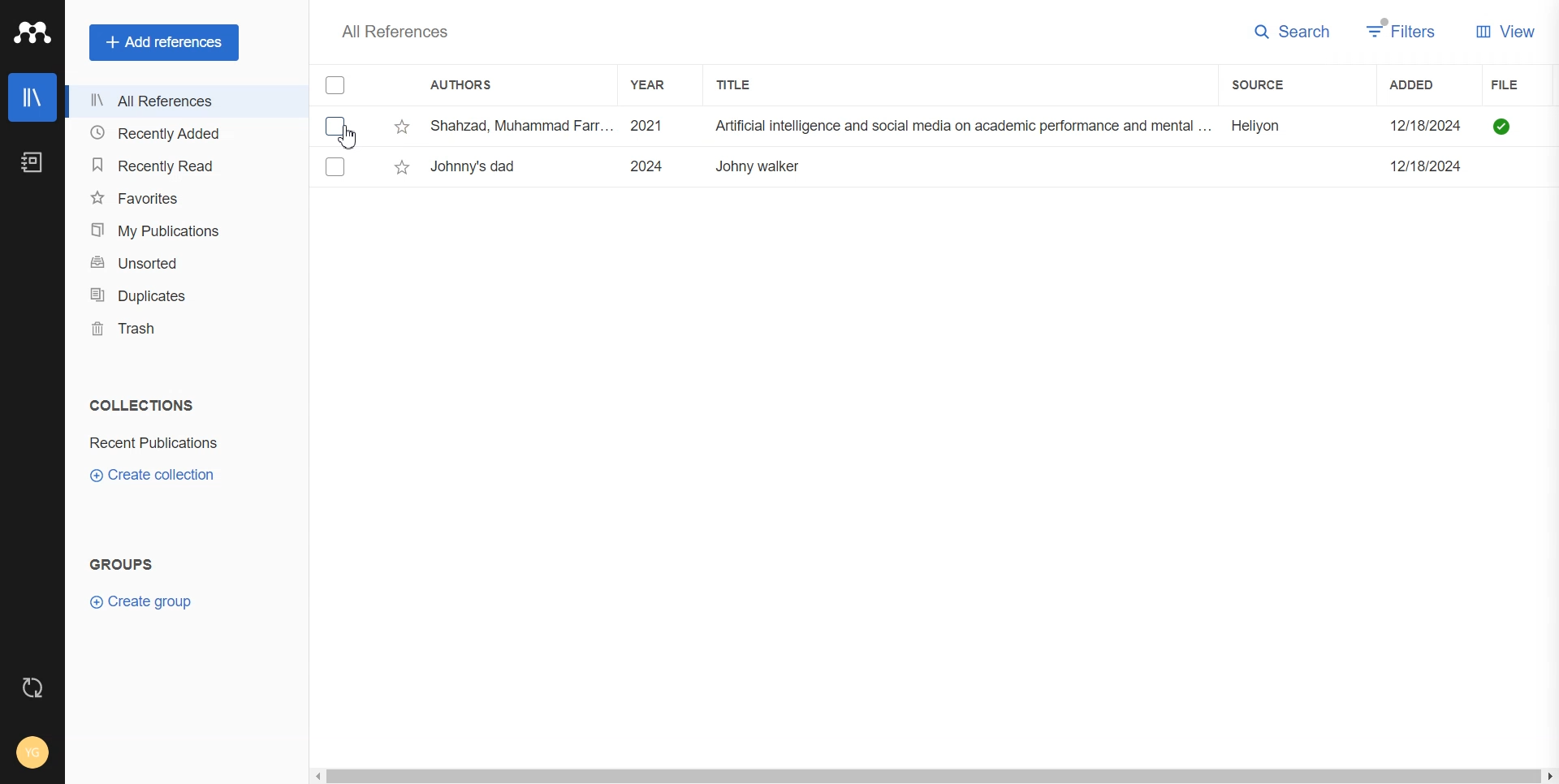 The width and height of the screenshot is (1559, 784). I want to click on Trash, so click(180, 328).